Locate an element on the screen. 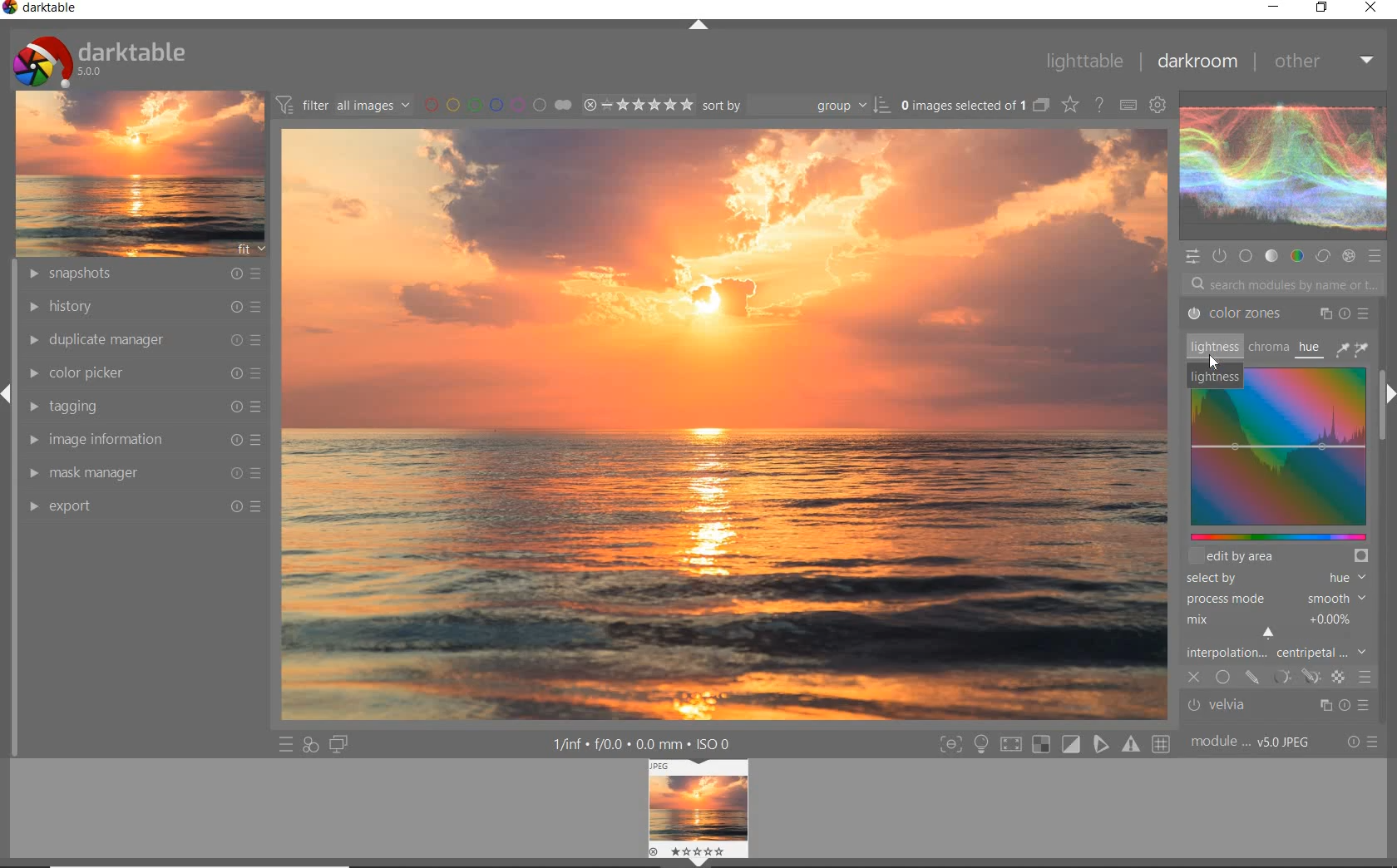 The height and width of the screenshot is (868, 1397). other is located at coordinates (1326, 65).